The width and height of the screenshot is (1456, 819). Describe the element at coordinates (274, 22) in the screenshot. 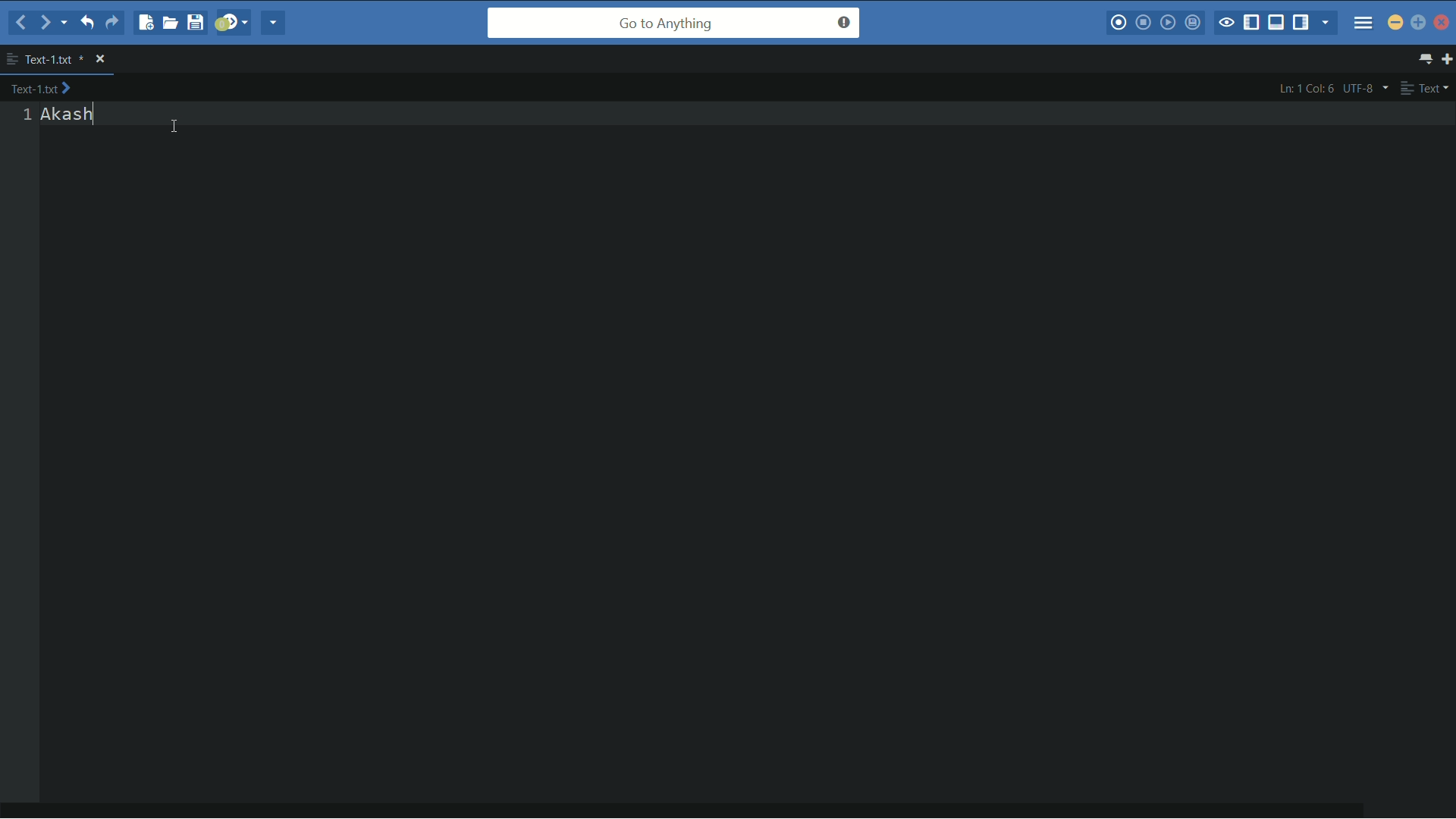

I see `share current file` at that location.